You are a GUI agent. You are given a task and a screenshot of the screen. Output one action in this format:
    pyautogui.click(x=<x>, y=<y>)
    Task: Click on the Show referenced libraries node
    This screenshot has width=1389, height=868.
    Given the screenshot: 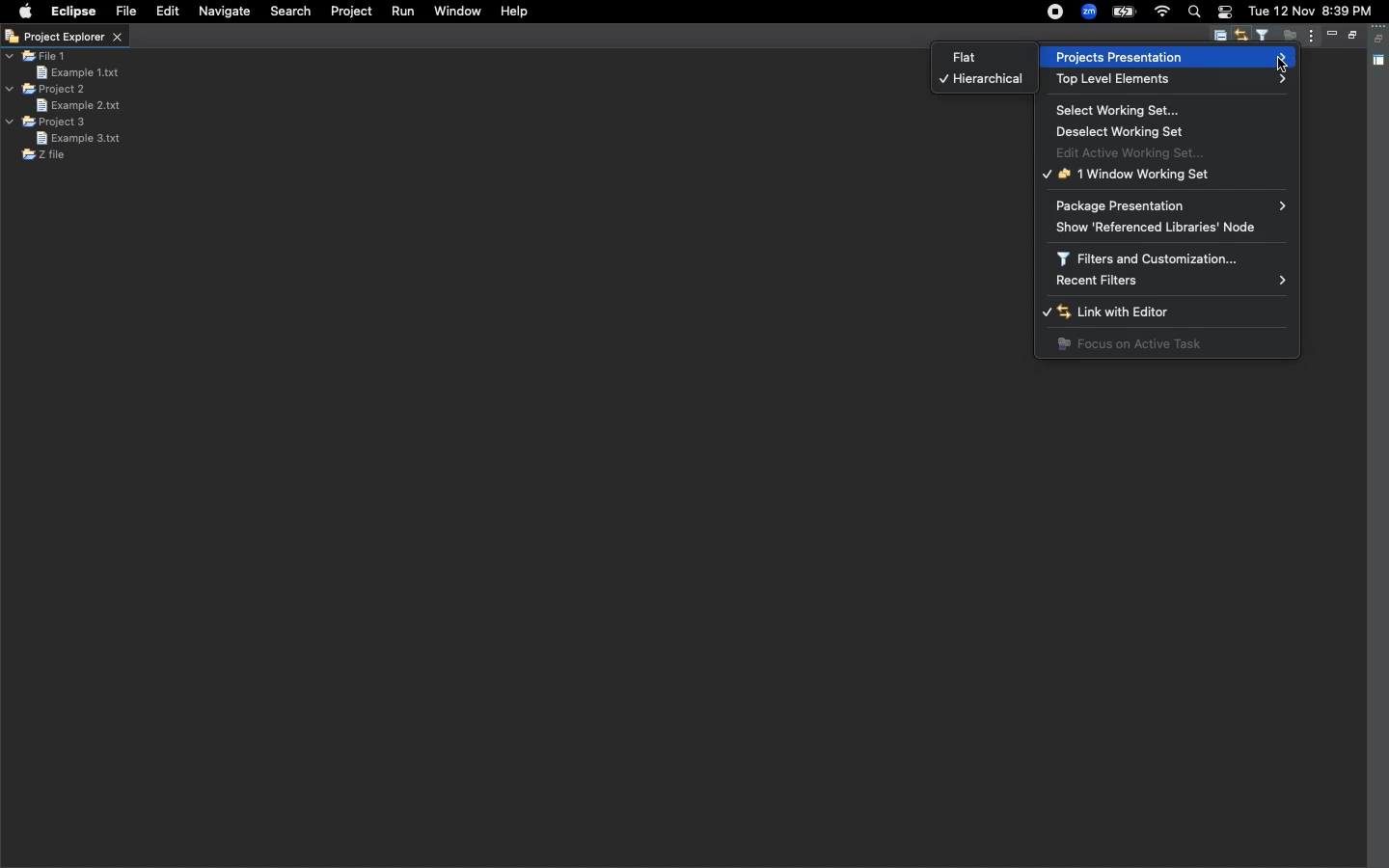 What is the action you would take?
    pyautogui.click(x=1167, y=227)
    